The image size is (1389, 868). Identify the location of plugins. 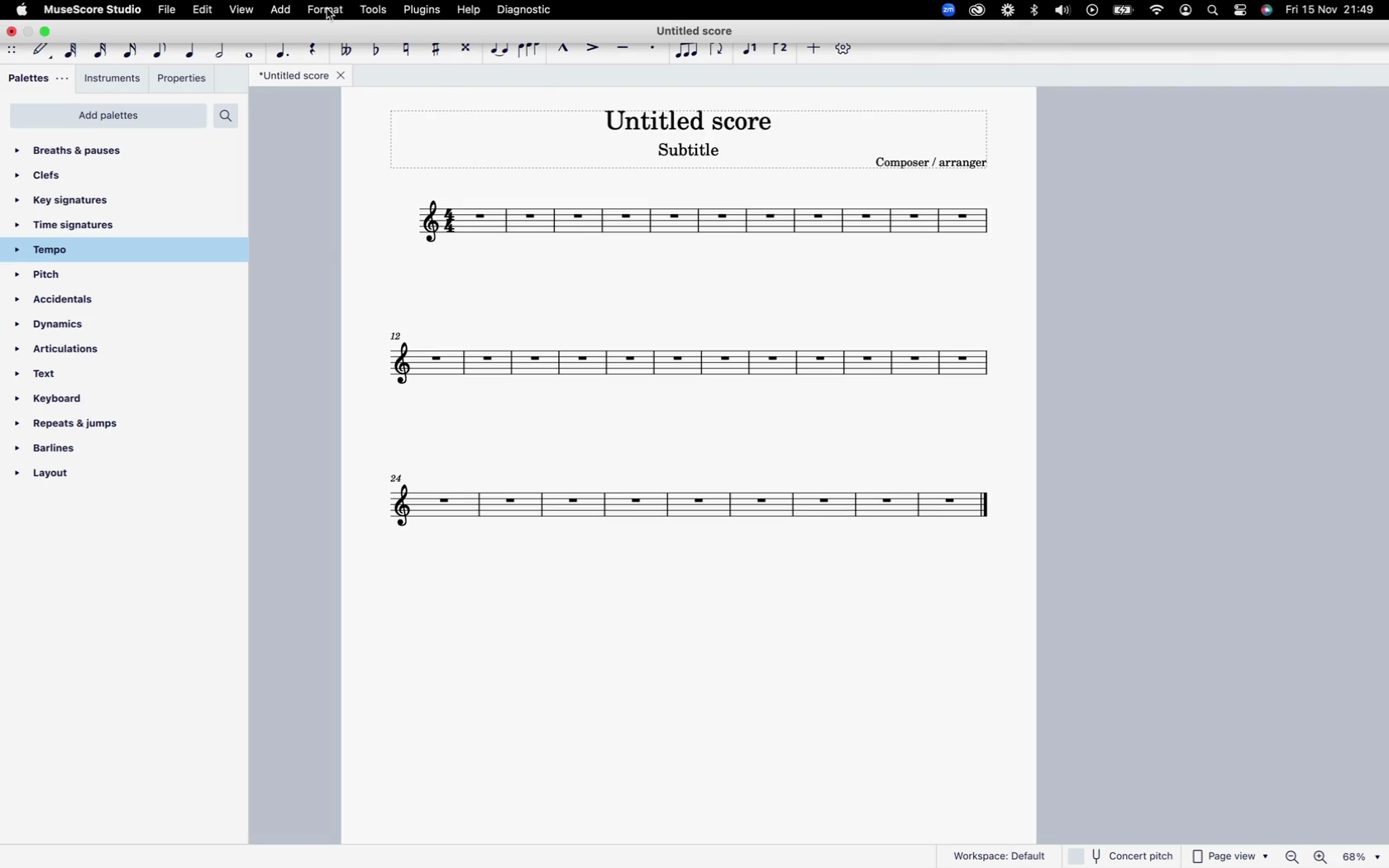
(426, 8).